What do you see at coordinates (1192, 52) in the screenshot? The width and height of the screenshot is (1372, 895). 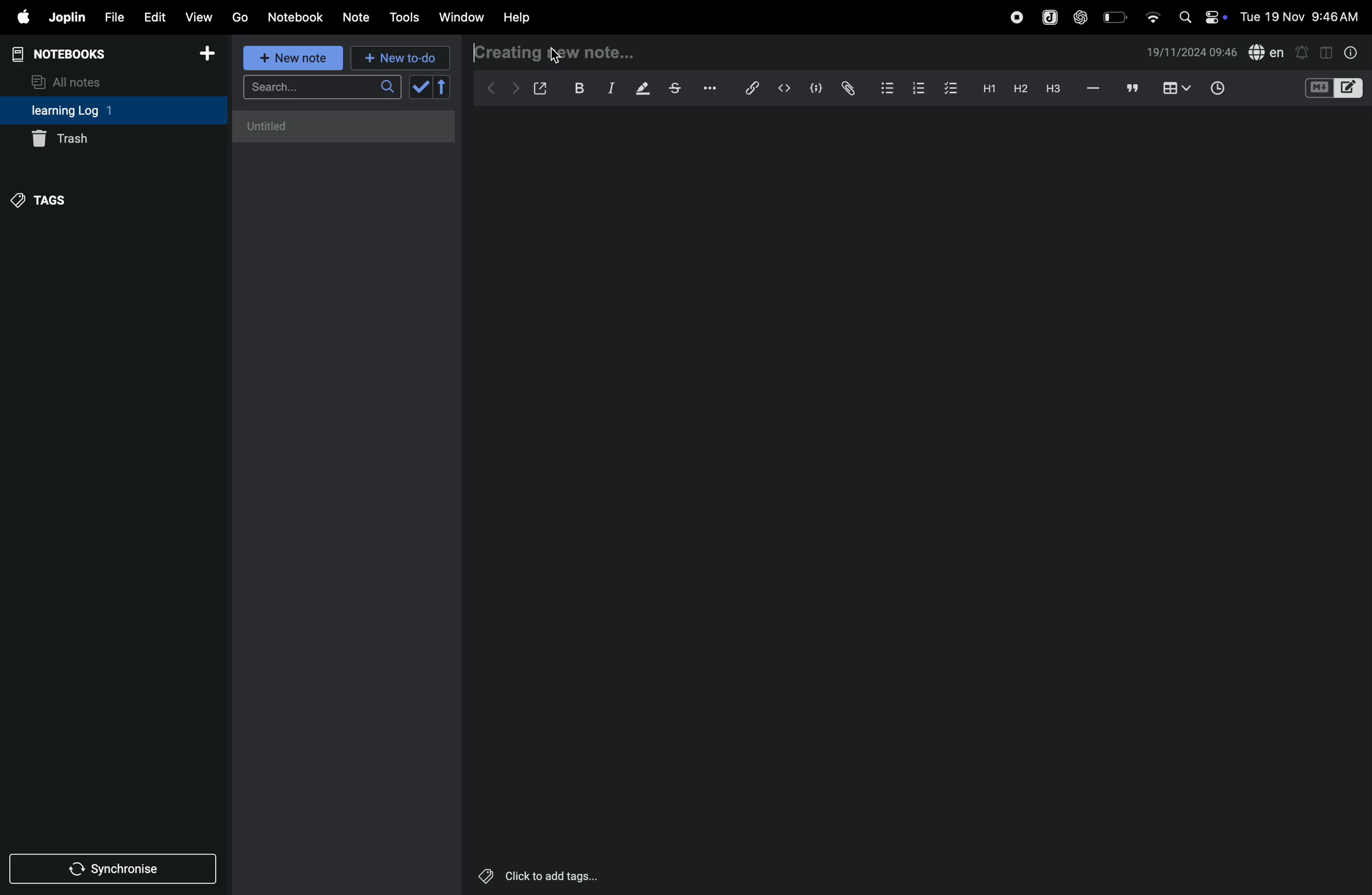 I see `date and time` at bounding box center [1192, 52].